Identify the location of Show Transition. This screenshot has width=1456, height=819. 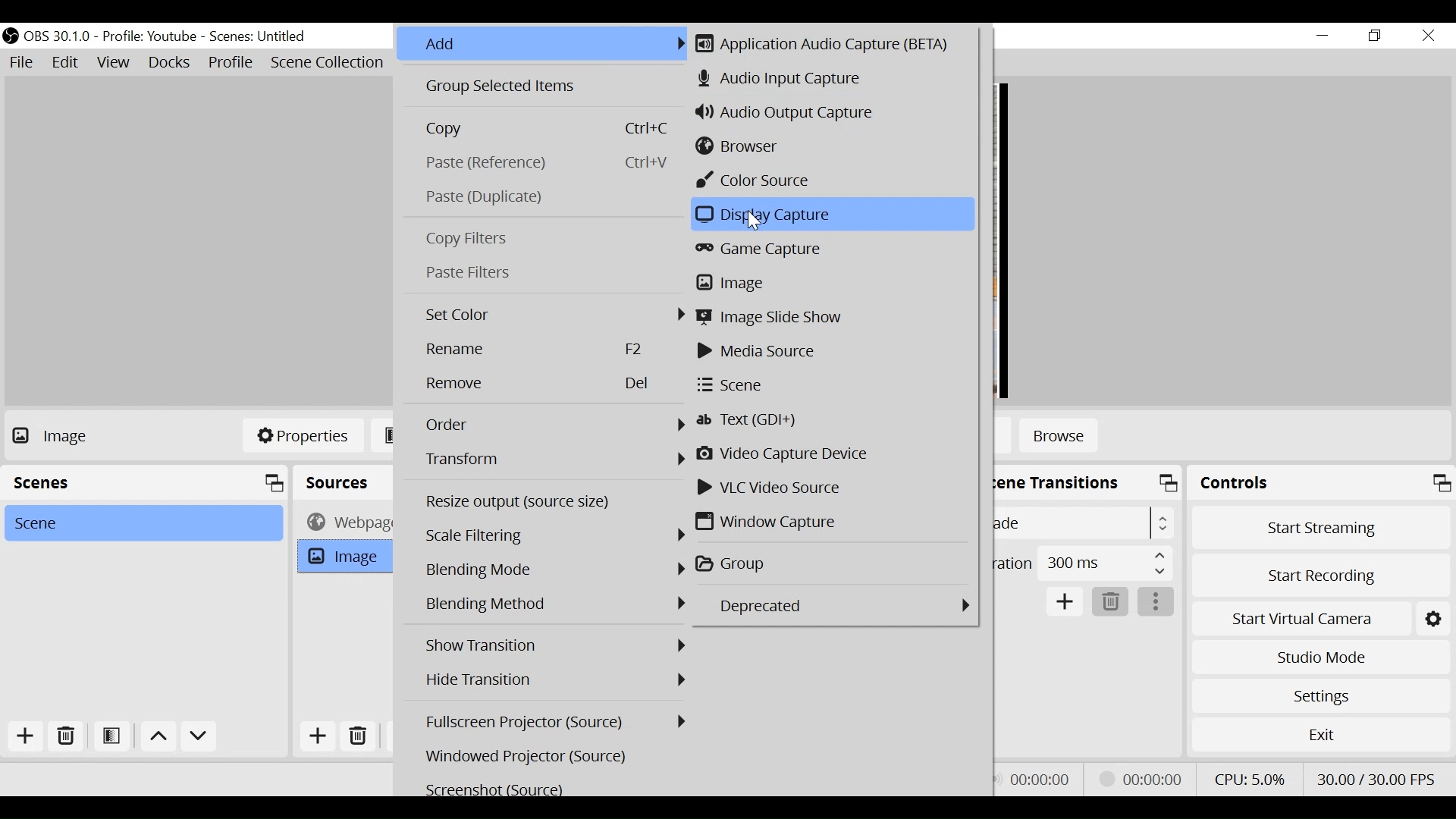
(554, 645).